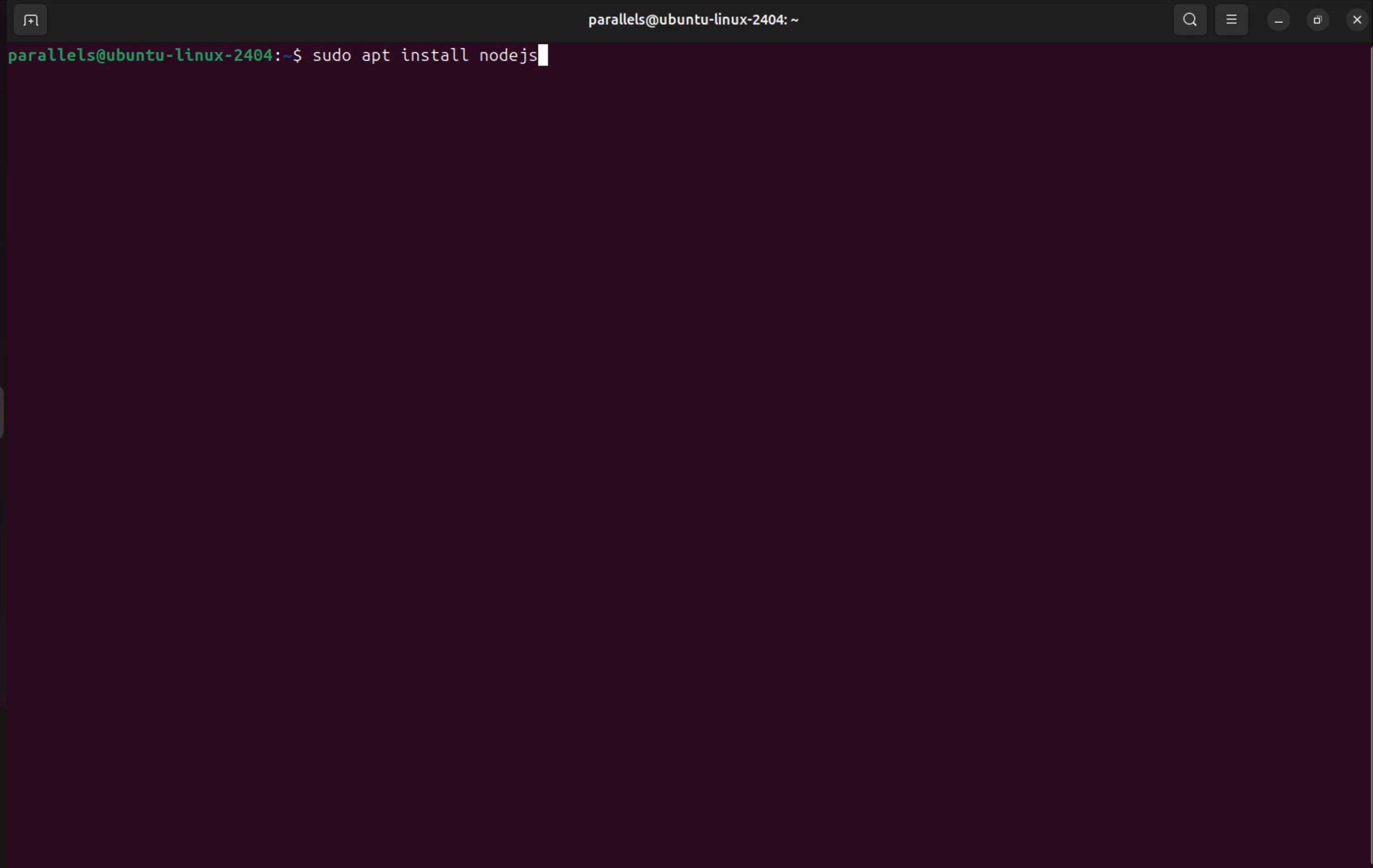 The height and width of the screenshot is (868, 1373). Describe the element at coordinates (1317, 20) in the screenshot. I see `resize` at that location.